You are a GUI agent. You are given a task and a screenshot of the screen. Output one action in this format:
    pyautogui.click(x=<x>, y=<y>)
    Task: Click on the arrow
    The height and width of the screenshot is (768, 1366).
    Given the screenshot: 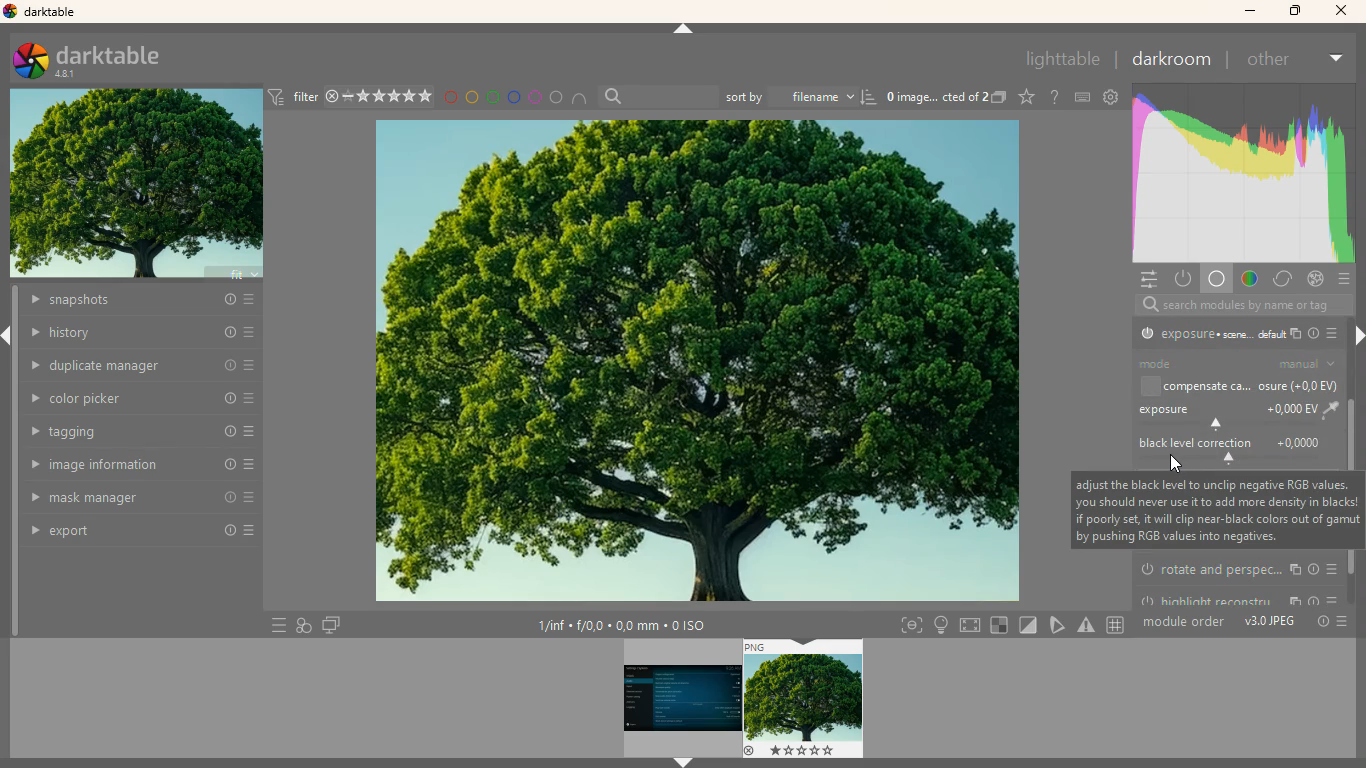 What is the action you would take?
    pyautogui.click(x=684, y=762)
    